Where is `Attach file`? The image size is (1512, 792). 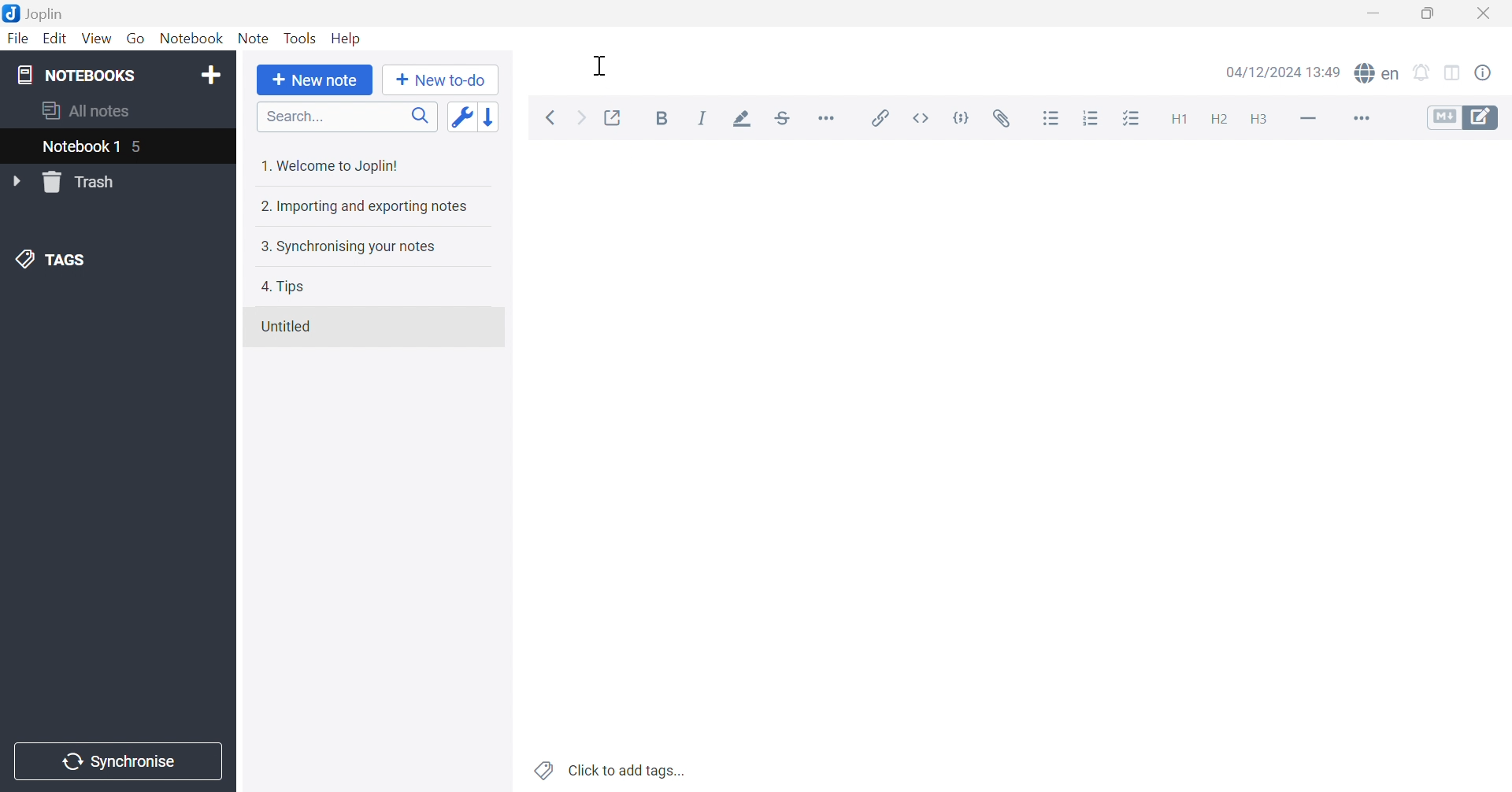 Attach file is located at coordinates (1004, 116).